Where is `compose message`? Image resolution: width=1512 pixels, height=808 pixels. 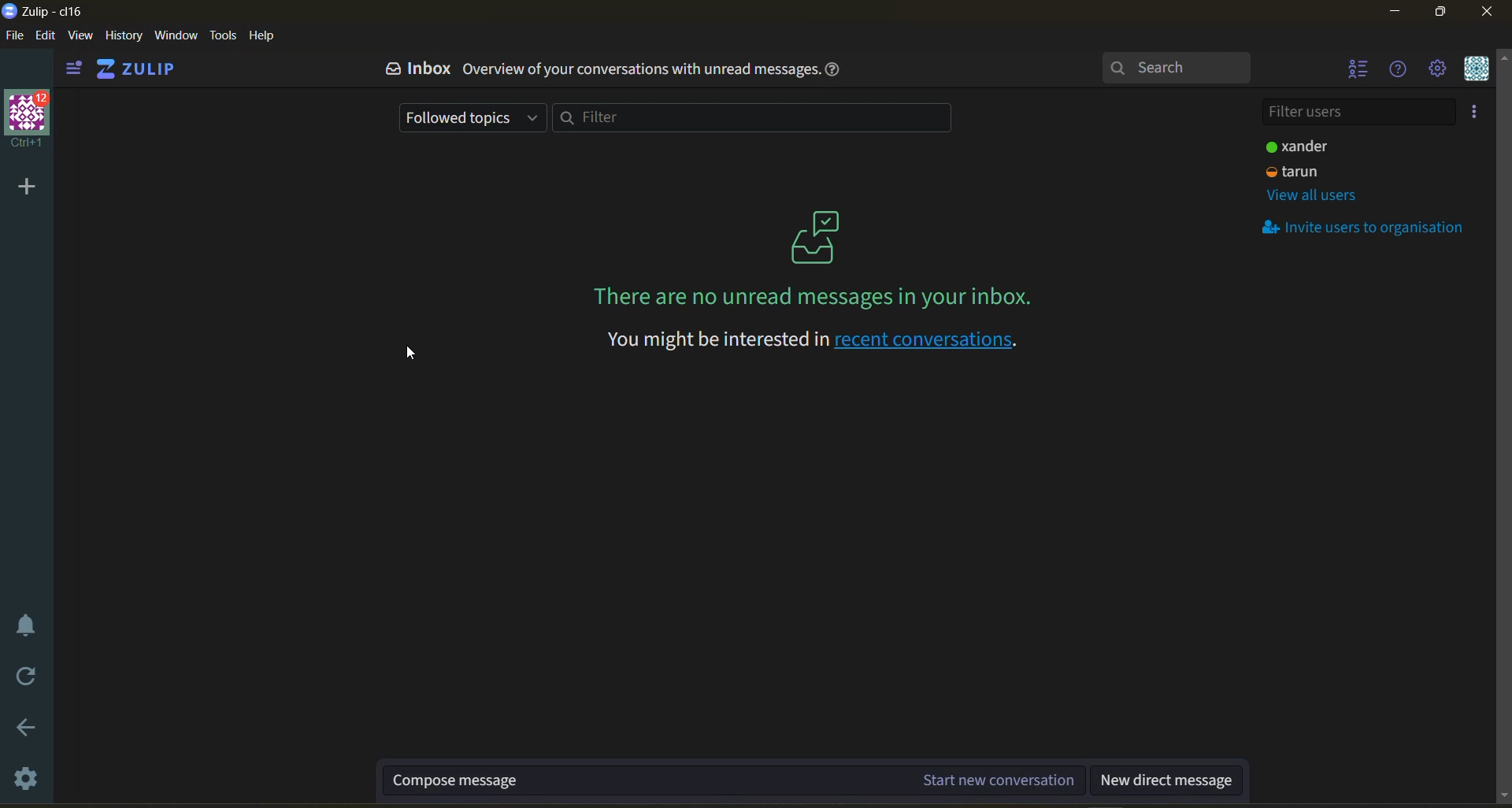 compose message is located at coordinates (736, 779).